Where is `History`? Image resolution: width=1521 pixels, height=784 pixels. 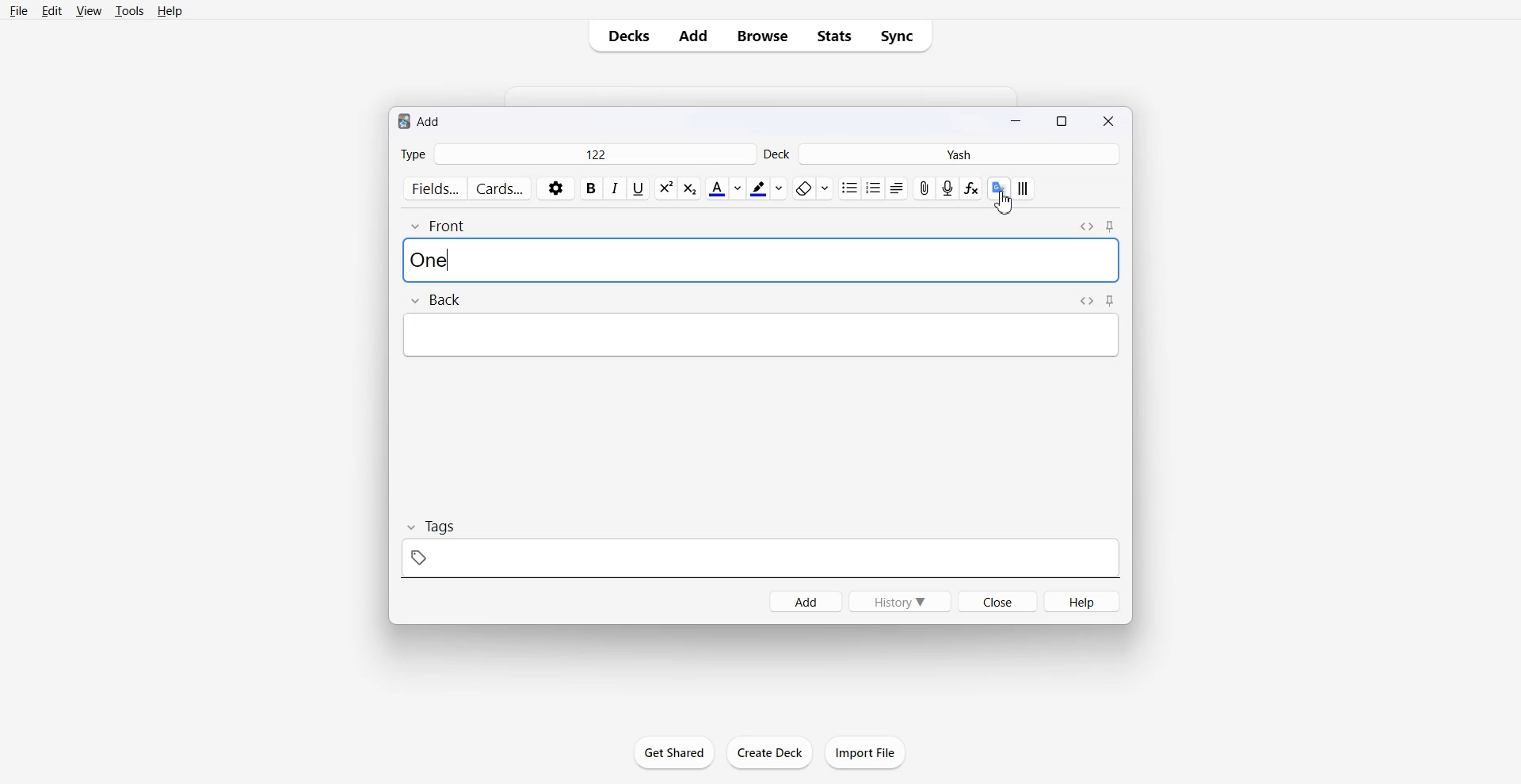
History is located at coordinates (900, 601).